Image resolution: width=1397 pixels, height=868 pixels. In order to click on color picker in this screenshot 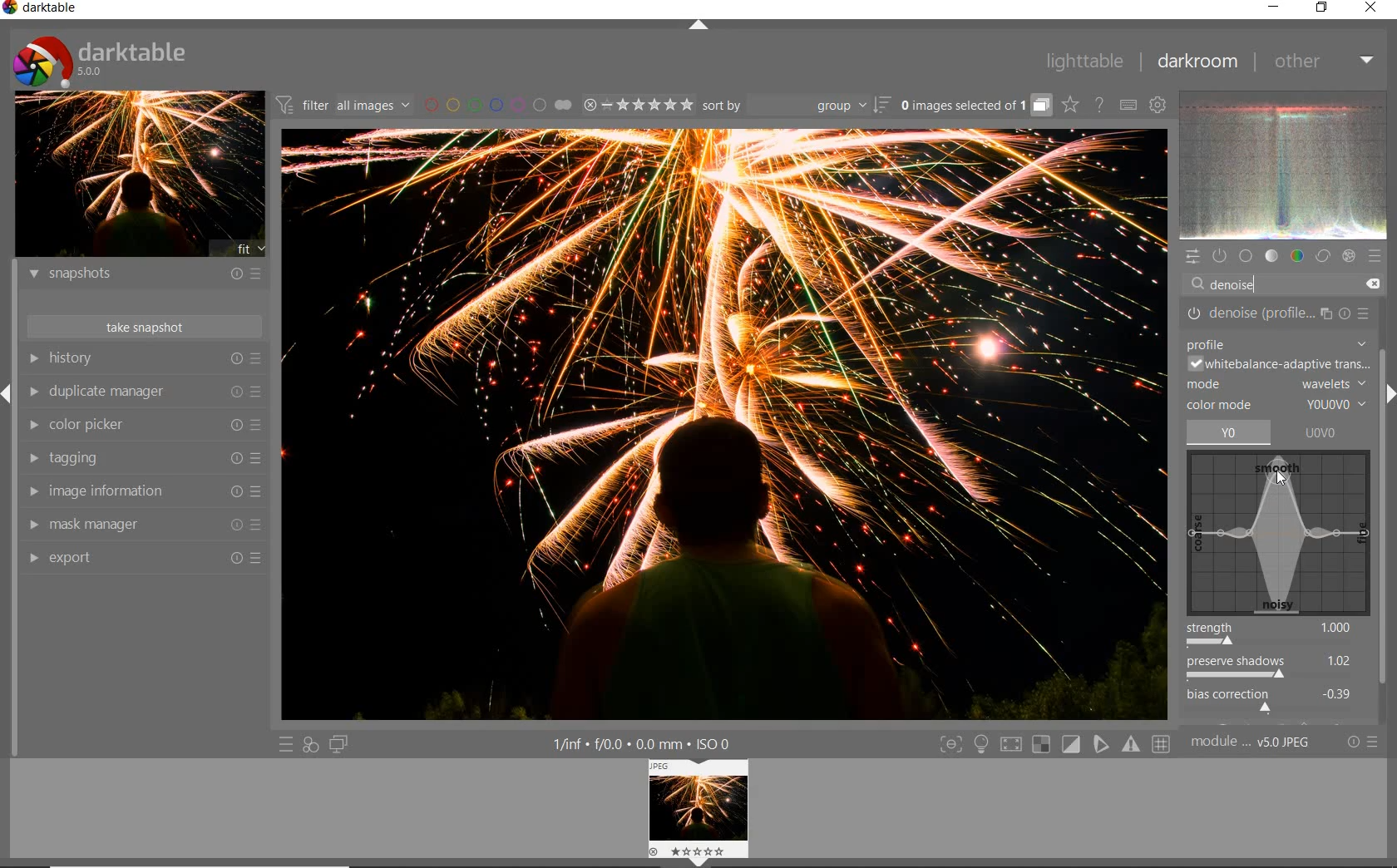, I will do `click(143, 427)`.